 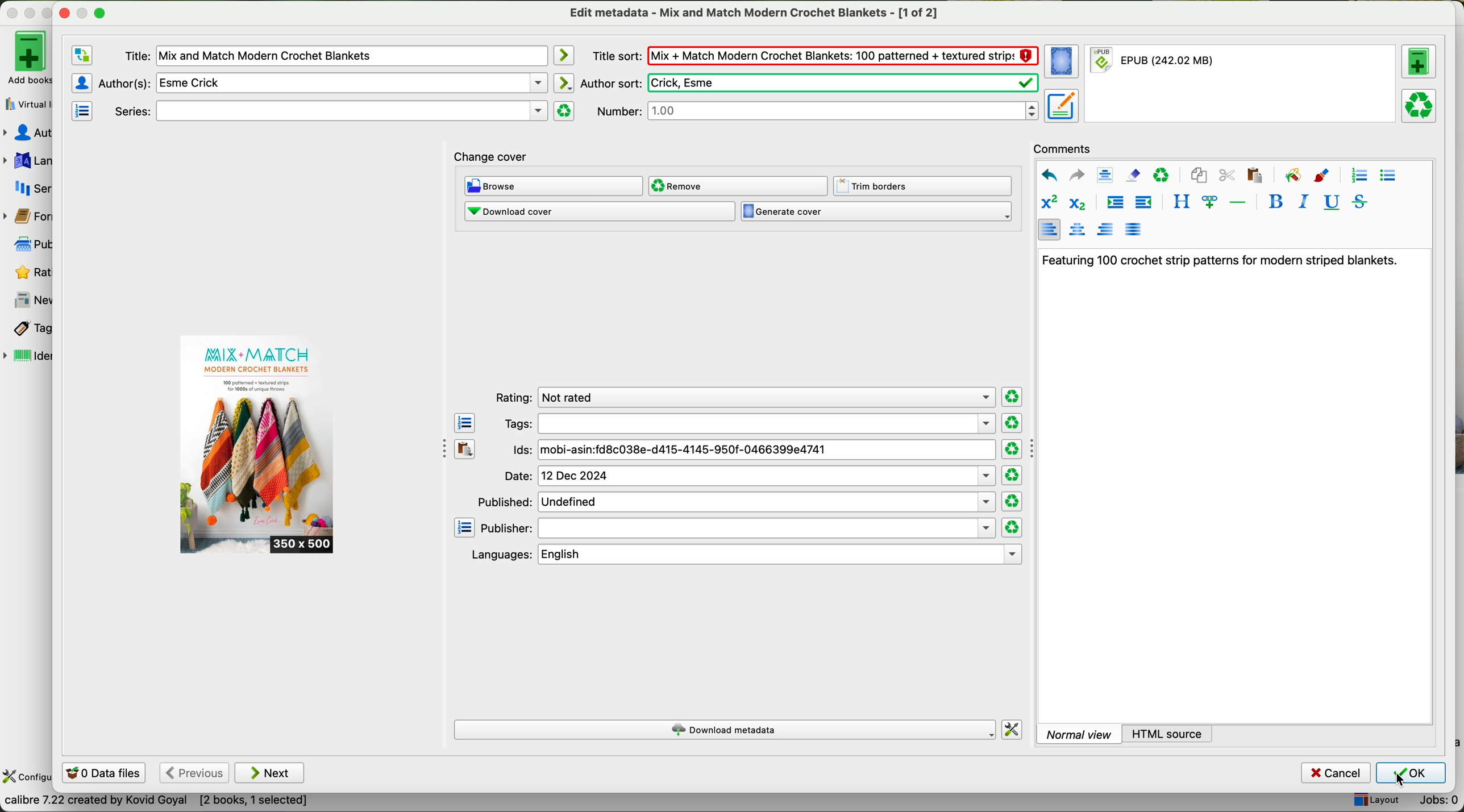 What do you see at coordinates (1063, 62) in the screenshot?
I see `set the cover for the book` at bounding box center [1063, 62].